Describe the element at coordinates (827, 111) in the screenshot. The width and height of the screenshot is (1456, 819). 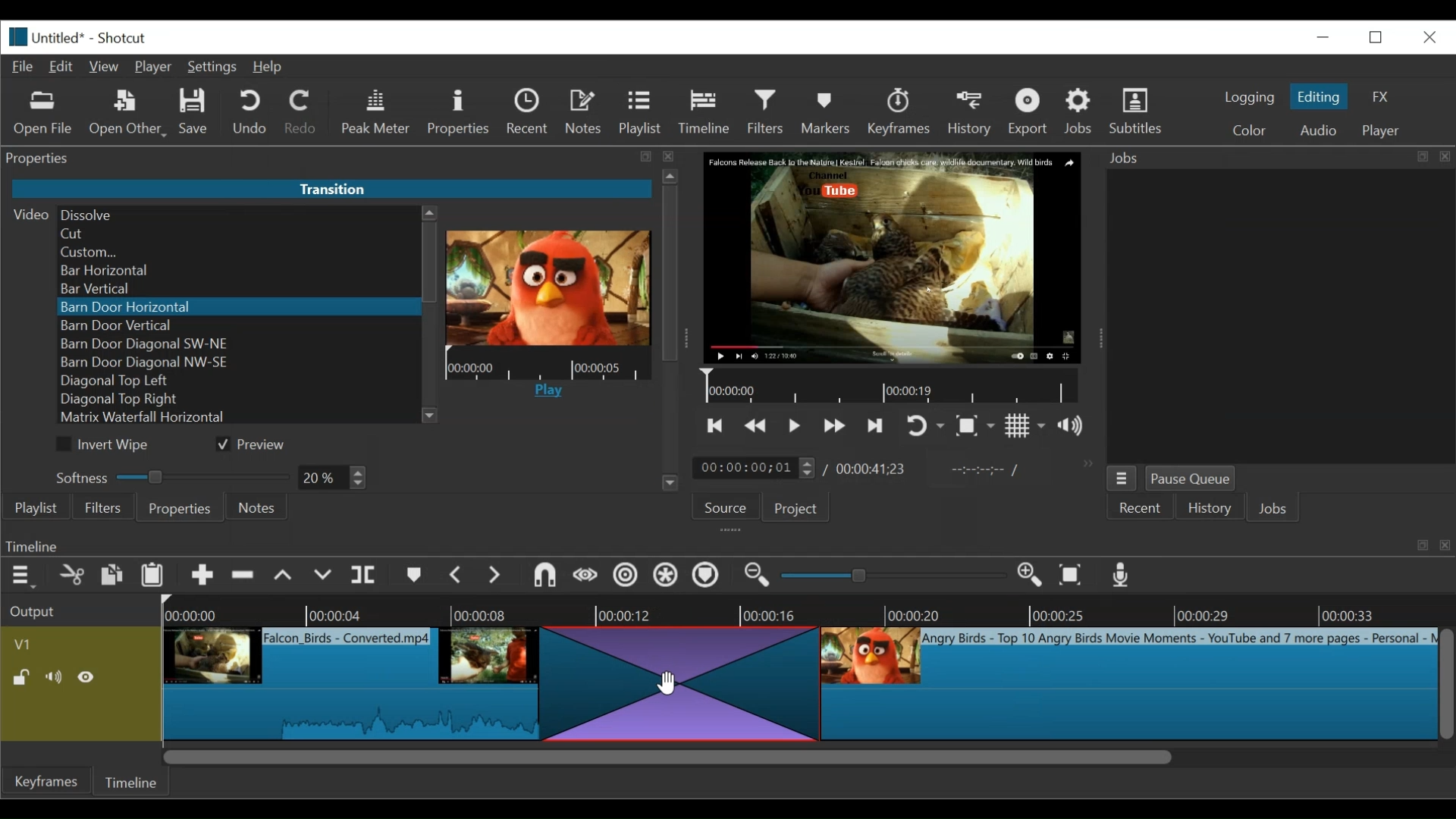
I see `Markers` at that location.